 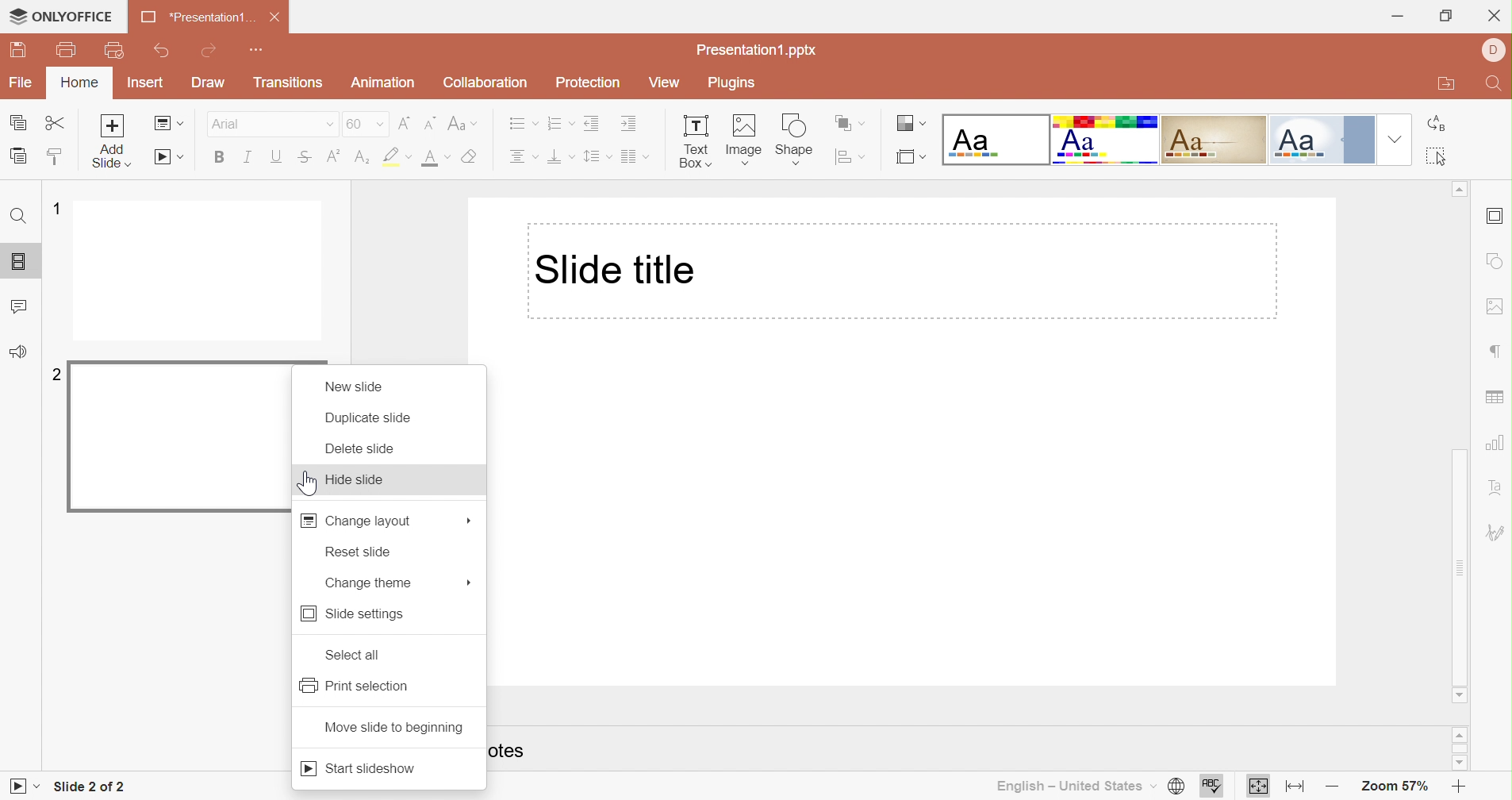 I want to click on Scroll bar, so click(x=1456, y=565).